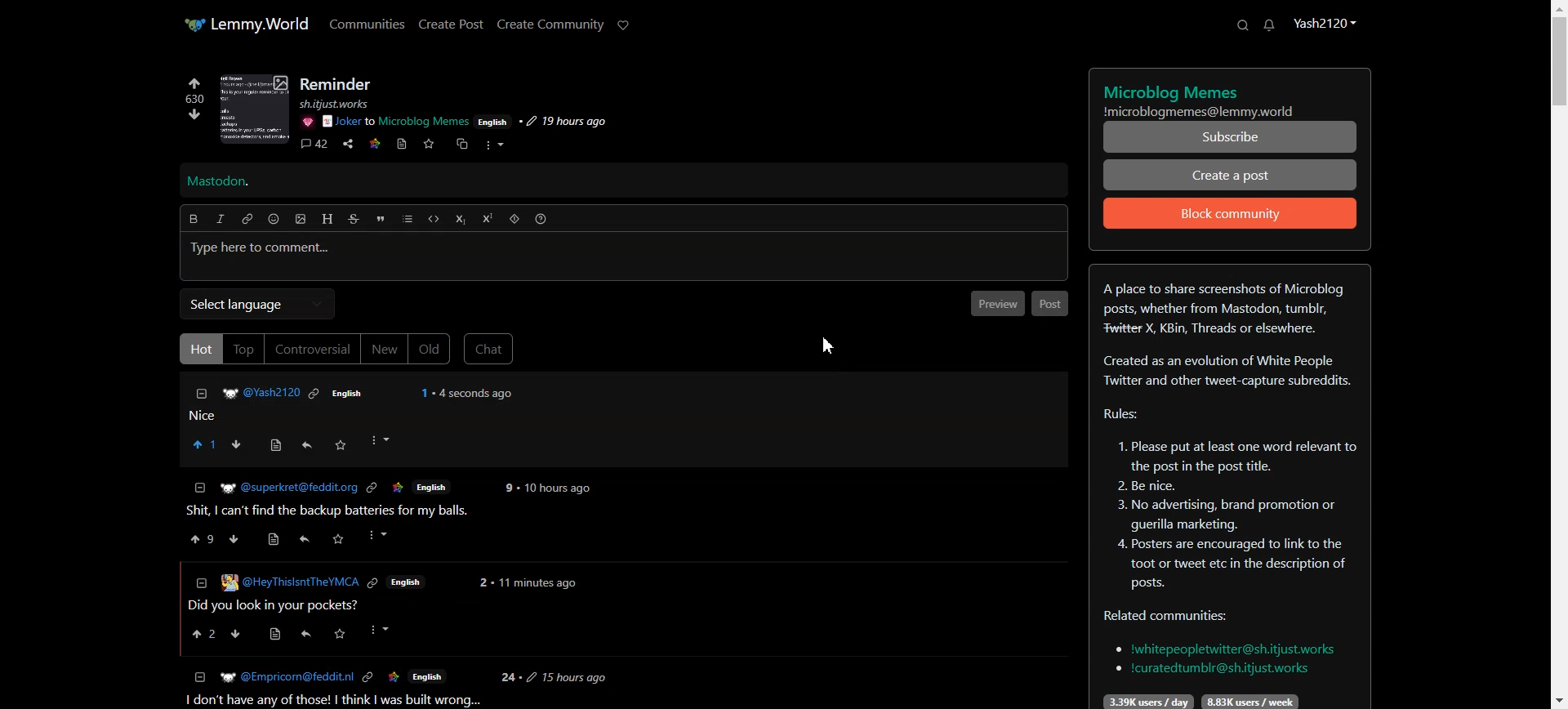 This screenshot has height=709, width=1568. What do you see at coordinates (510, 678) in the screenshot?
I see `` at bounding box center [510, 678].